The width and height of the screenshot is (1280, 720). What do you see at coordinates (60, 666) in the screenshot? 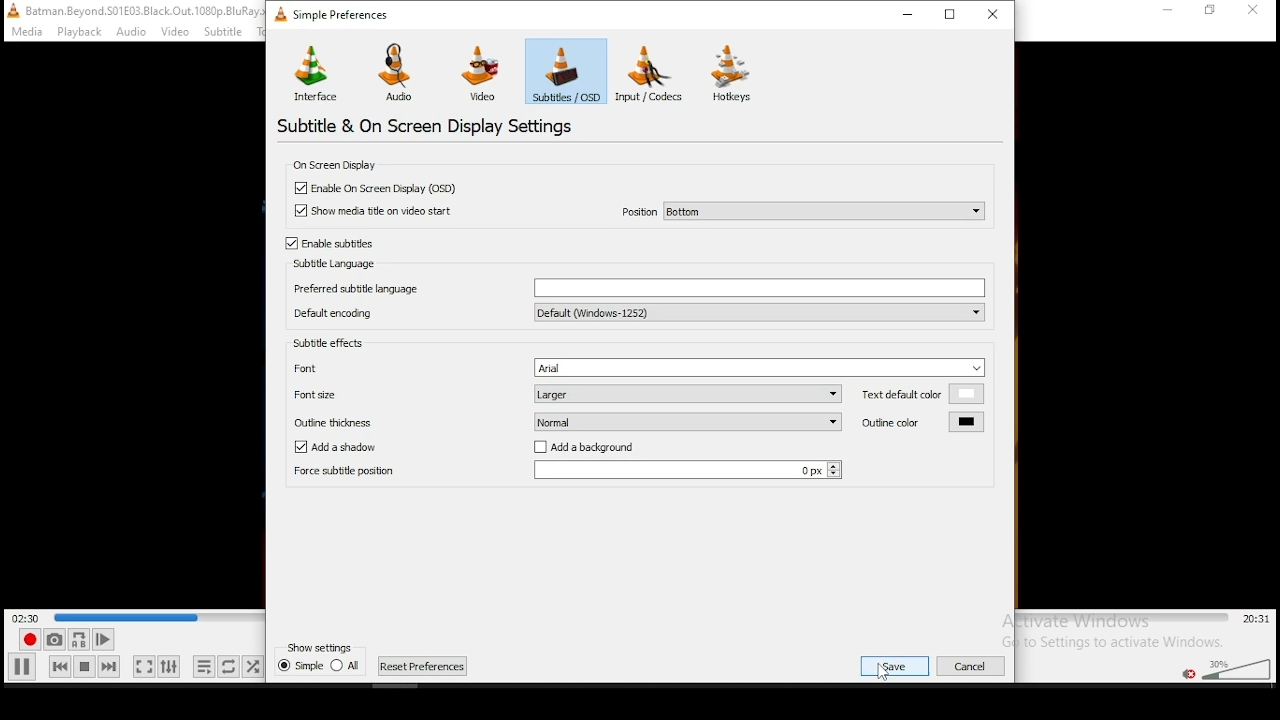
I see `previous media in playlist, skips backward when held` at bounding box center [60, 666].